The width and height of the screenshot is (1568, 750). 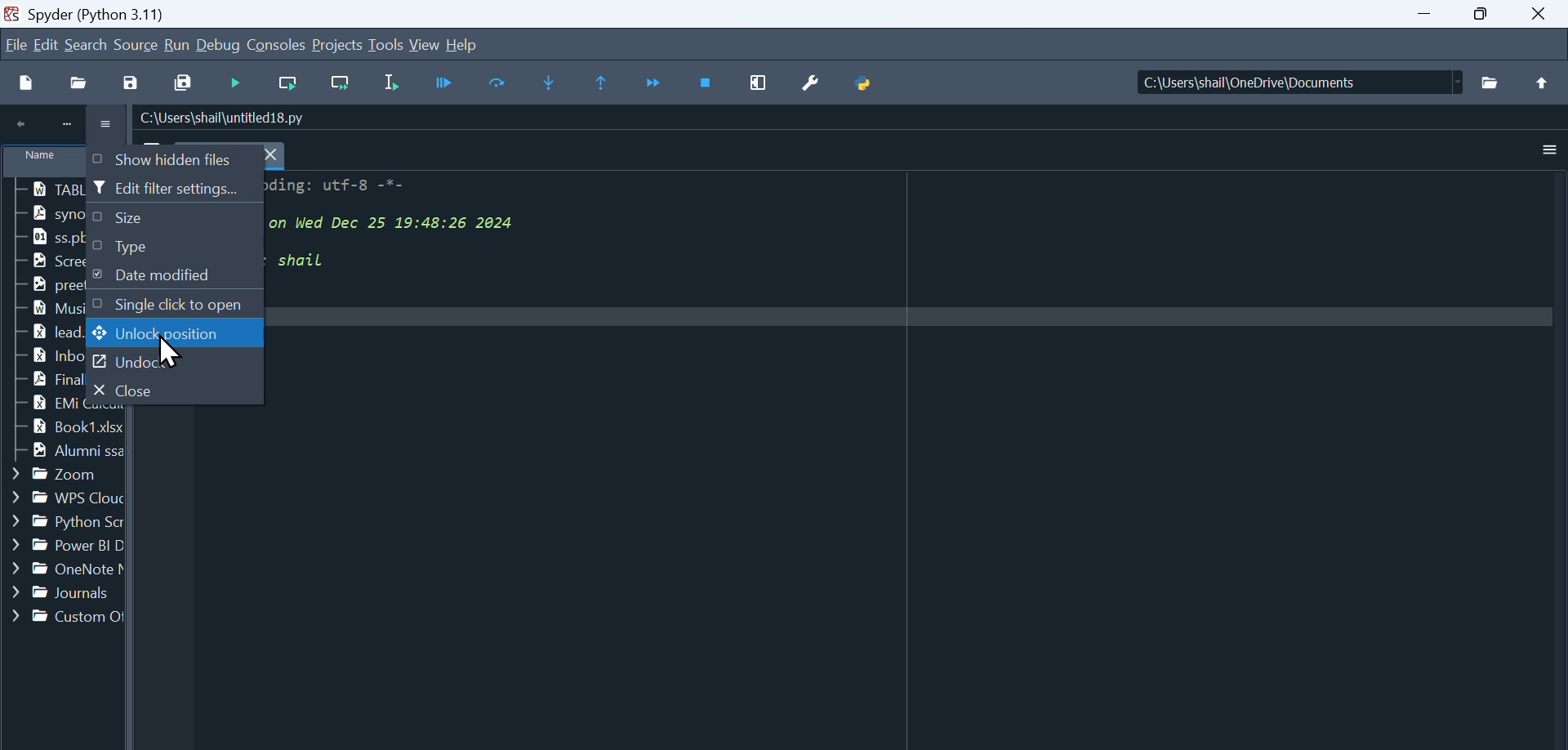 I want to click on , so click(x=137, y=43).